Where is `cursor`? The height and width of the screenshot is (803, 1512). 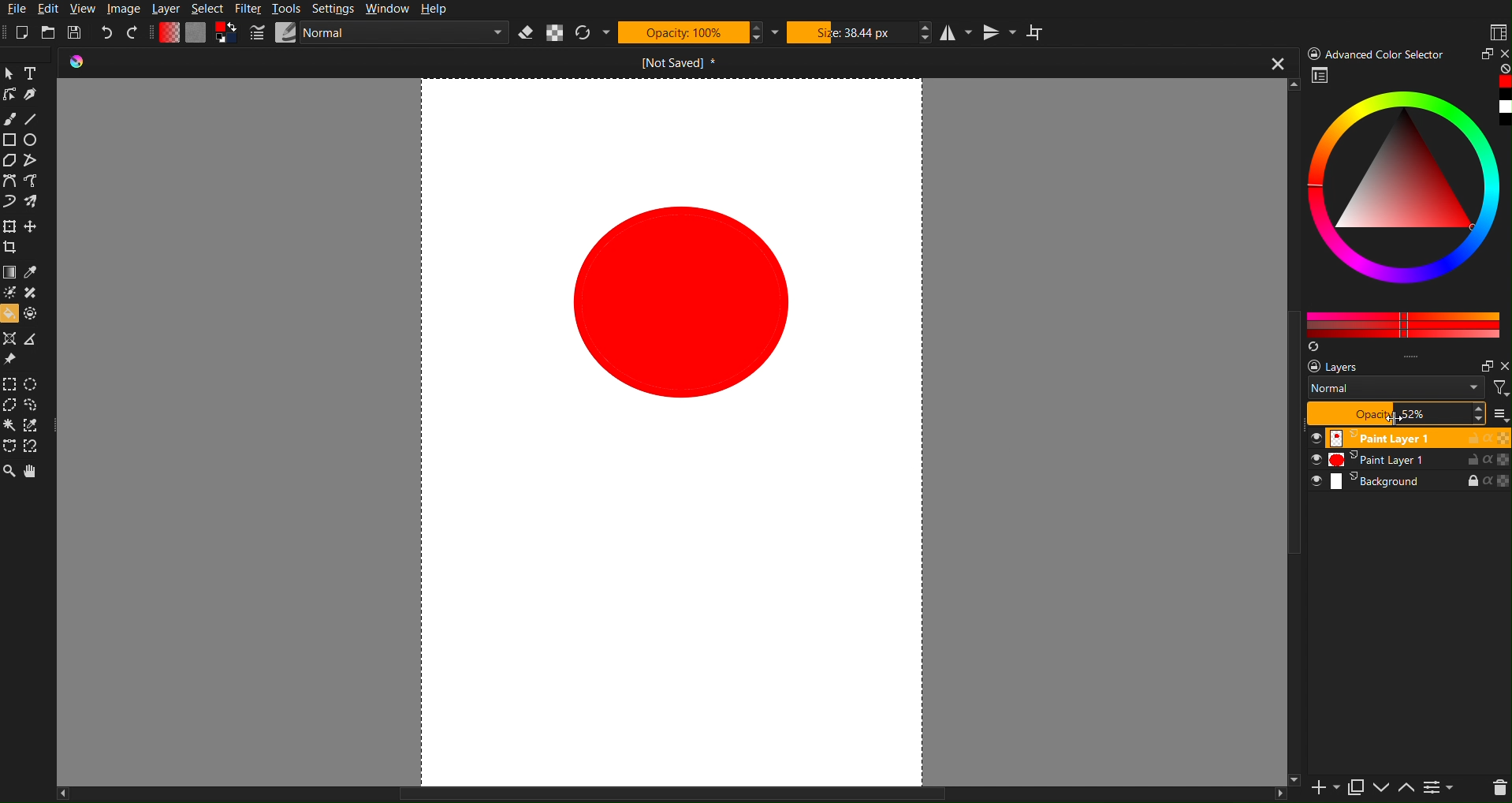 cursor is located at coordinates (1394, 421).